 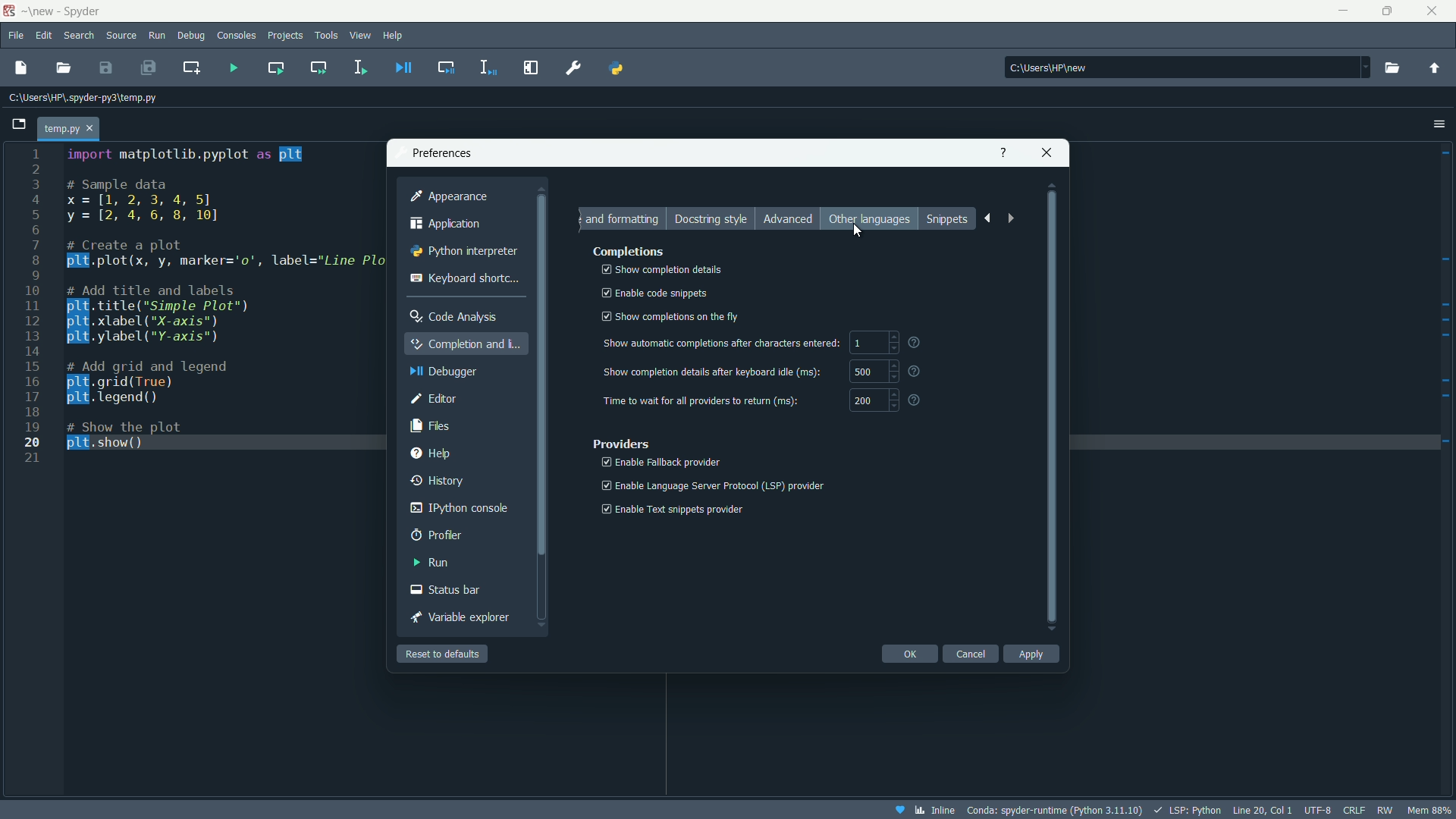 I want to click on 200, so click(x=864, y=402).